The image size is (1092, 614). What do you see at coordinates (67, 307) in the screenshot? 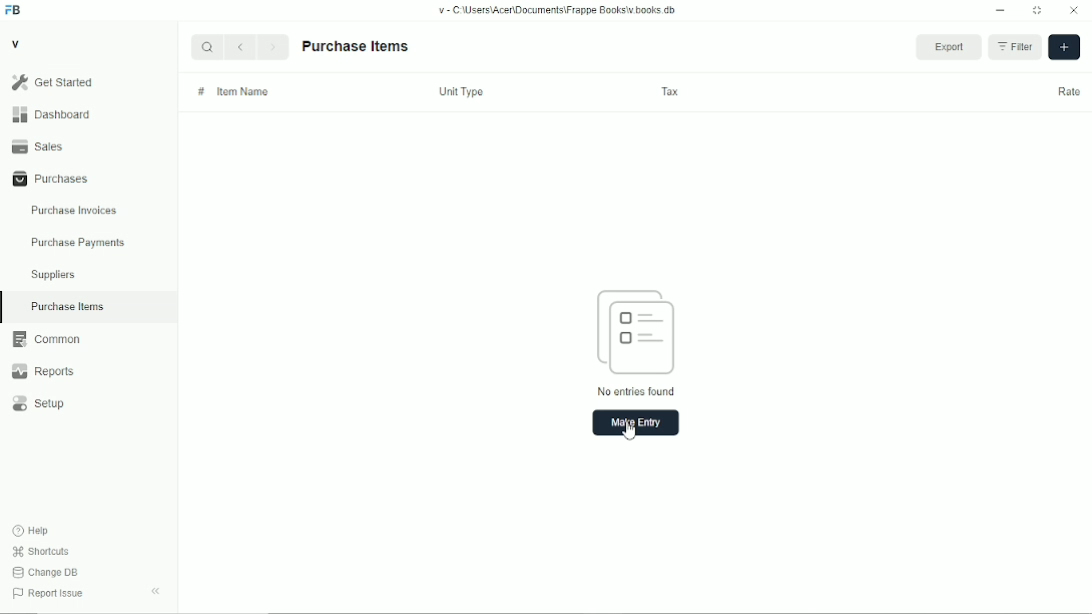
I see `purchase items` at bounding box center [67, 307].